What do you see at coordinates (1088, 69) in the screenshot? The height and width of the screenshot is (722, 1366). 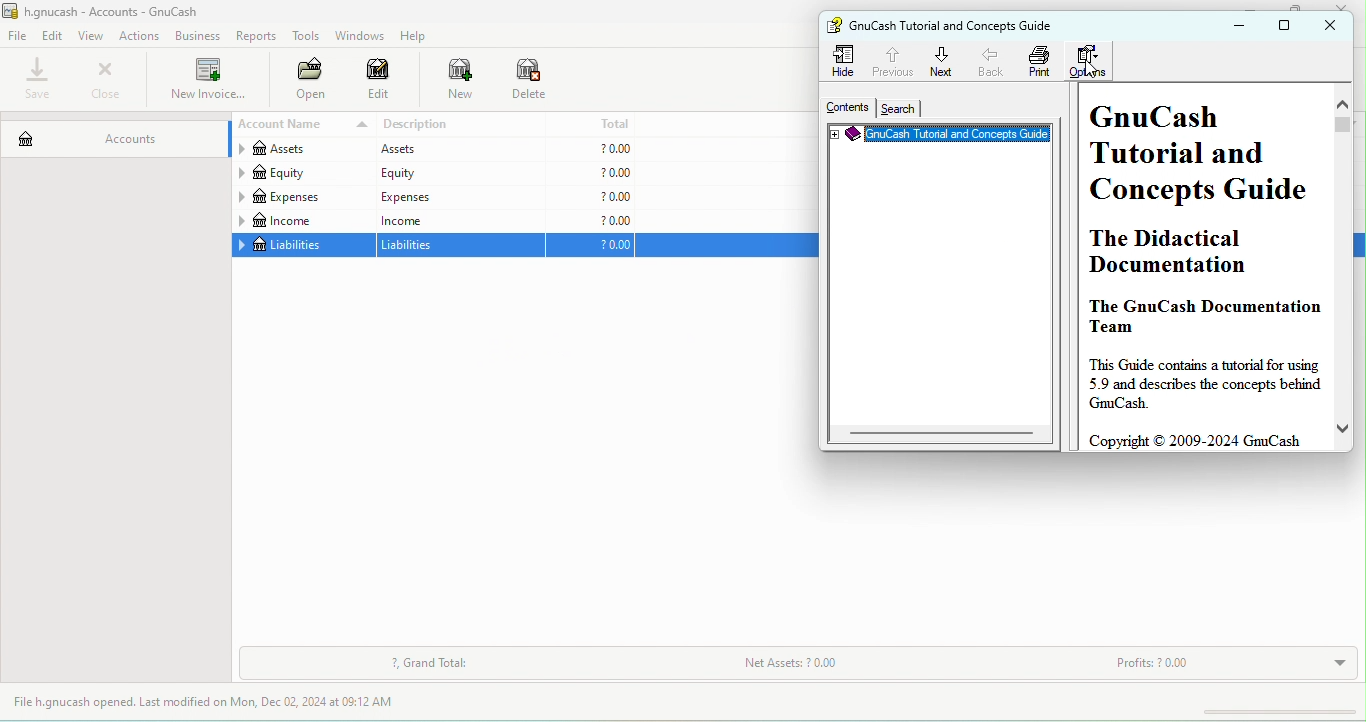 I see `cursor` at bounding box center [1088, 69].